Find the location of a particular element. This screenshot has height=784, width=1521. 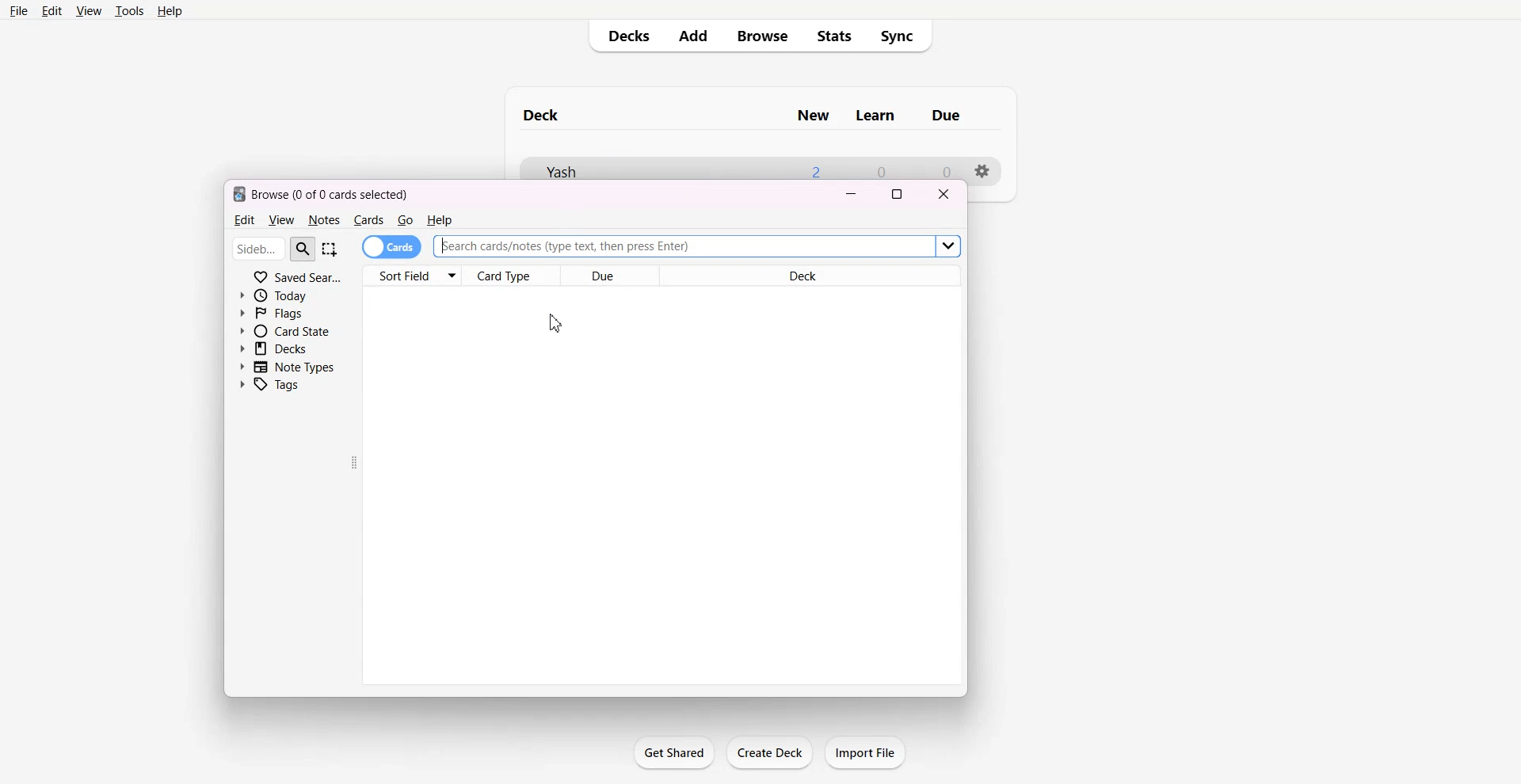

Due is located at coordinates (610, 276).